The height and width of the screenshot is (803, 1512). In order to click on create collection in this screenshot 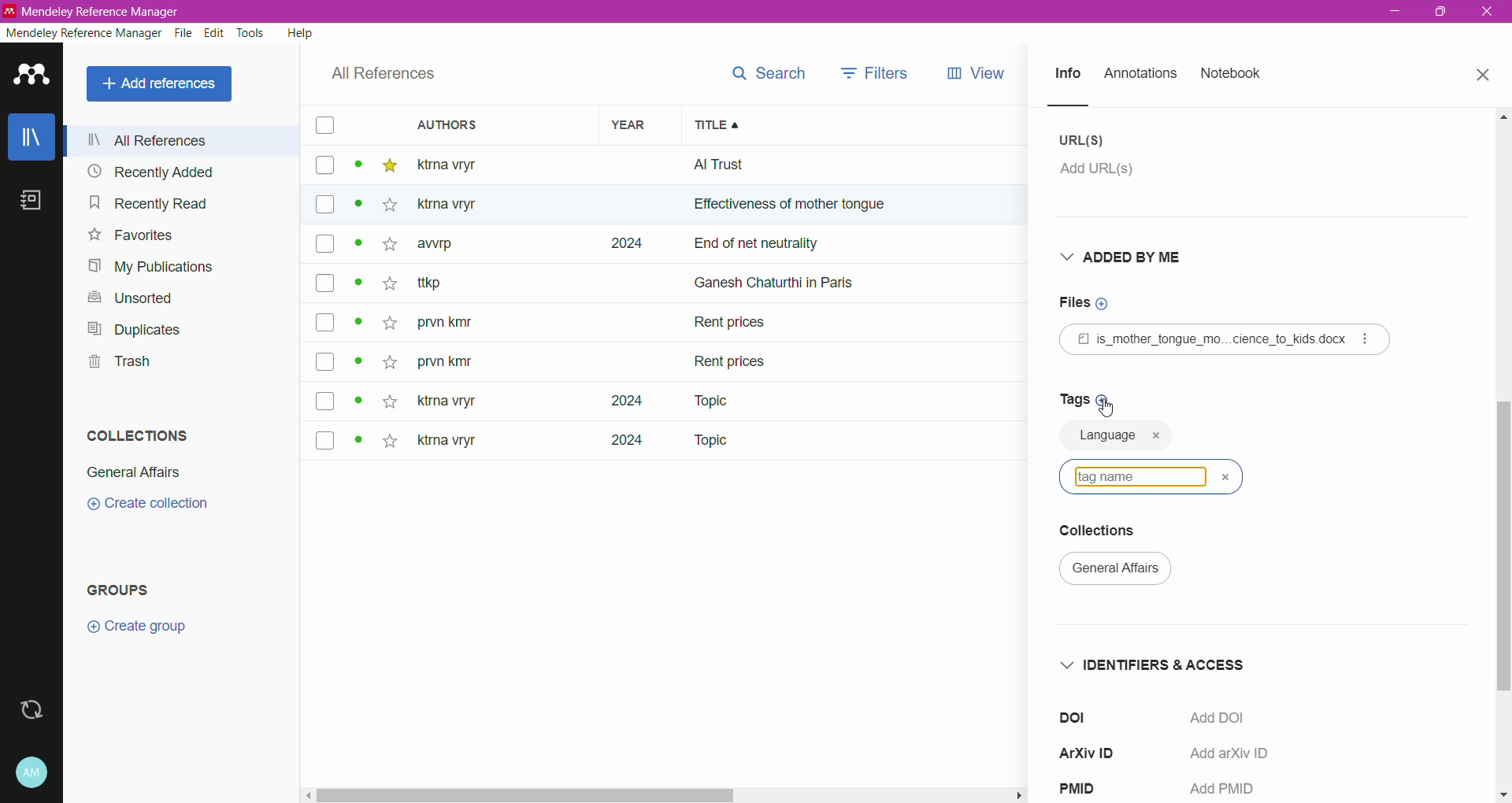, I will do `click(159, 509)`.